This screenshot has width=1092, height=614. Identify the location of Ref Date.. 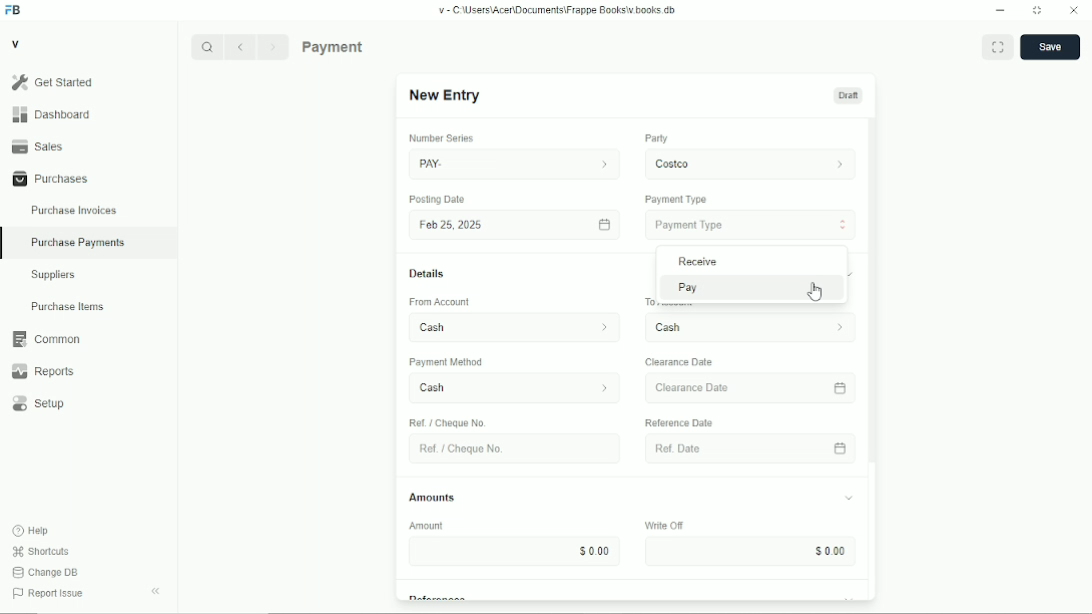
(738, 447).